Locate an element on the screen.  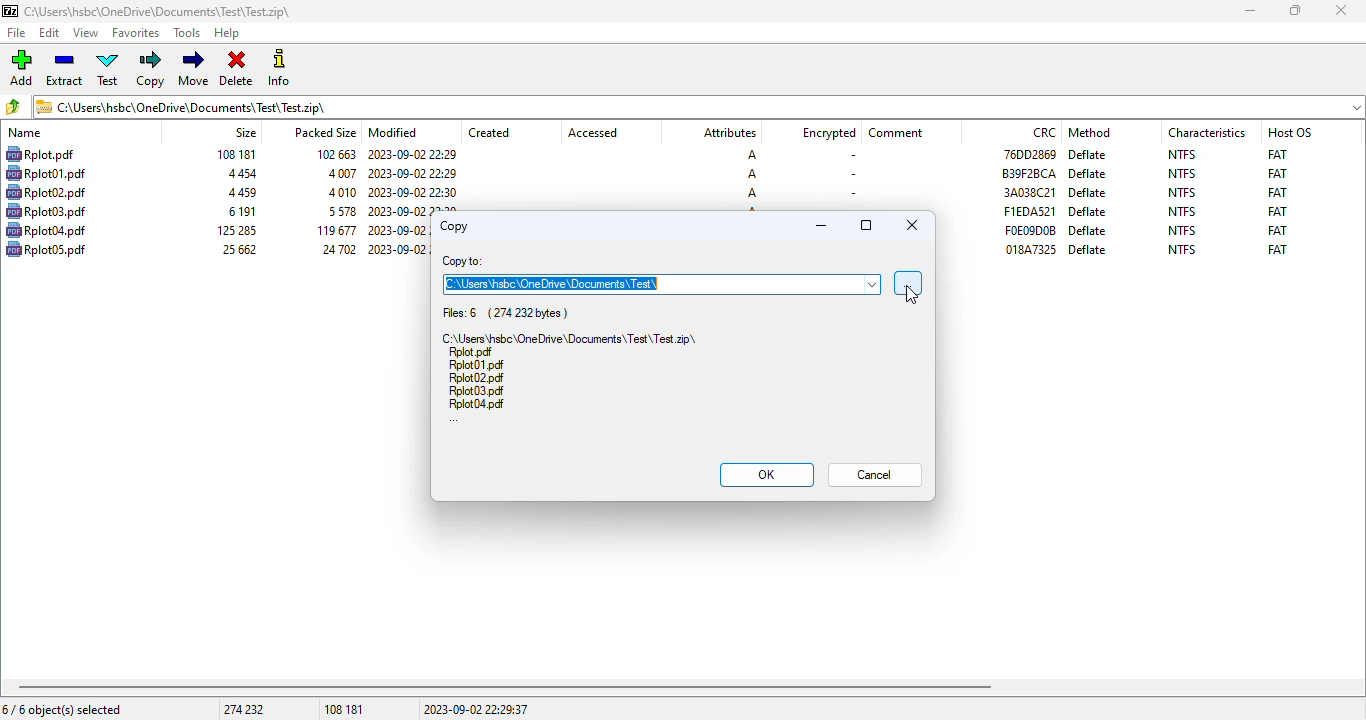
maximize is located at coordinates (1295, 11).